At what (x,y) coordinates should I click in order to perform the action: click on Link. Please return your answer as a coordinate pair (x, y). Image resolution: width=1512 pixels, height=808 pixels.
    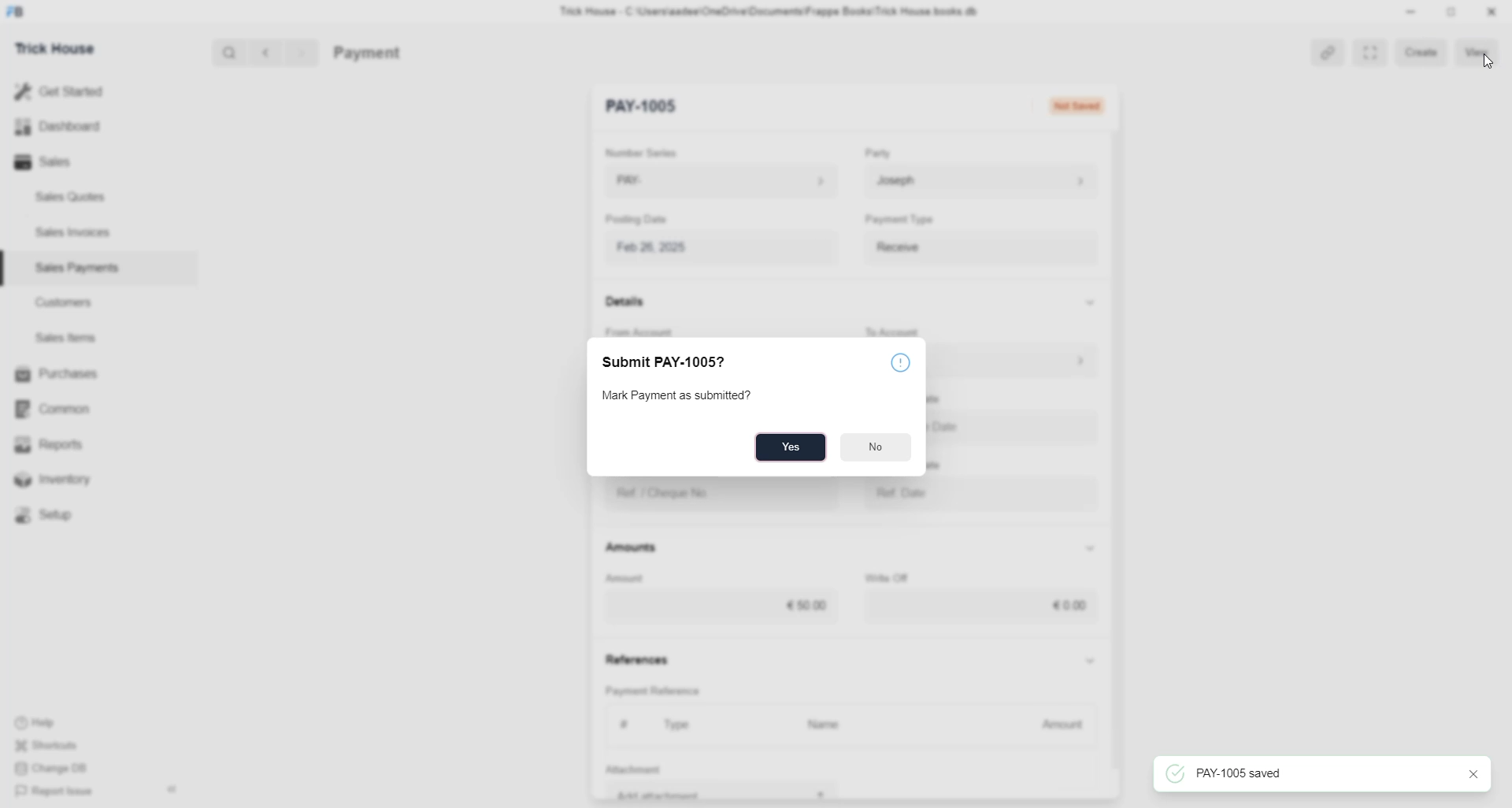
    Looking at the image, I should click on (1327, 53).